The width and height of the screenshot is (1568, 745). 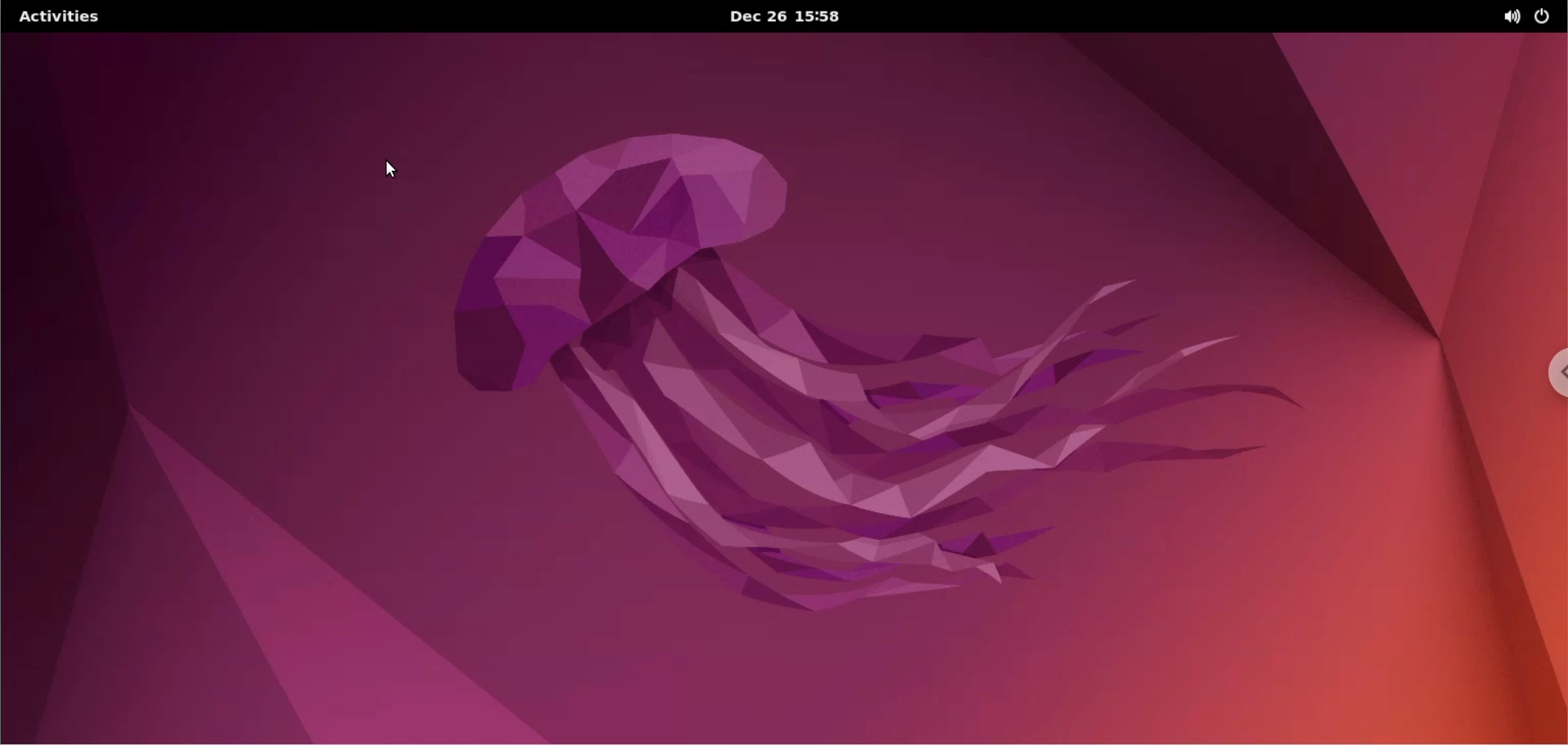 What do you see at coordinates (391, 170) in the screenshot?
I see `cursor` at bounding box center [391, 170].